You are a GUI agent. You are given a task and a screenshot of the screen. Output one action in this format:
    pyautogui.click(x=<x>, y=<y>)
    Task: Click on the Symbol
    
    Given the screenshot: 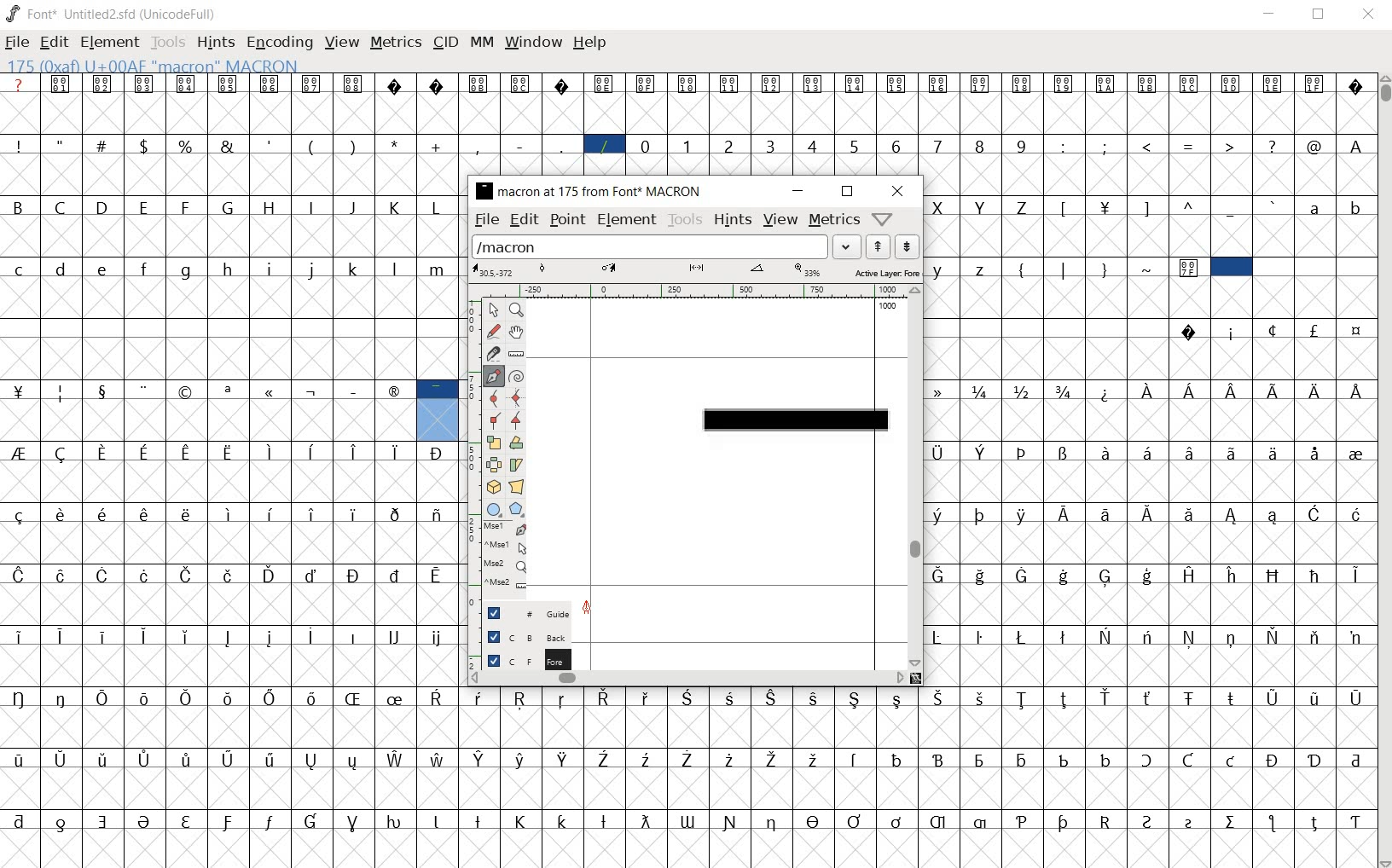 What is the action you would take?
    pyautogui.click(x=564, y=698)
    